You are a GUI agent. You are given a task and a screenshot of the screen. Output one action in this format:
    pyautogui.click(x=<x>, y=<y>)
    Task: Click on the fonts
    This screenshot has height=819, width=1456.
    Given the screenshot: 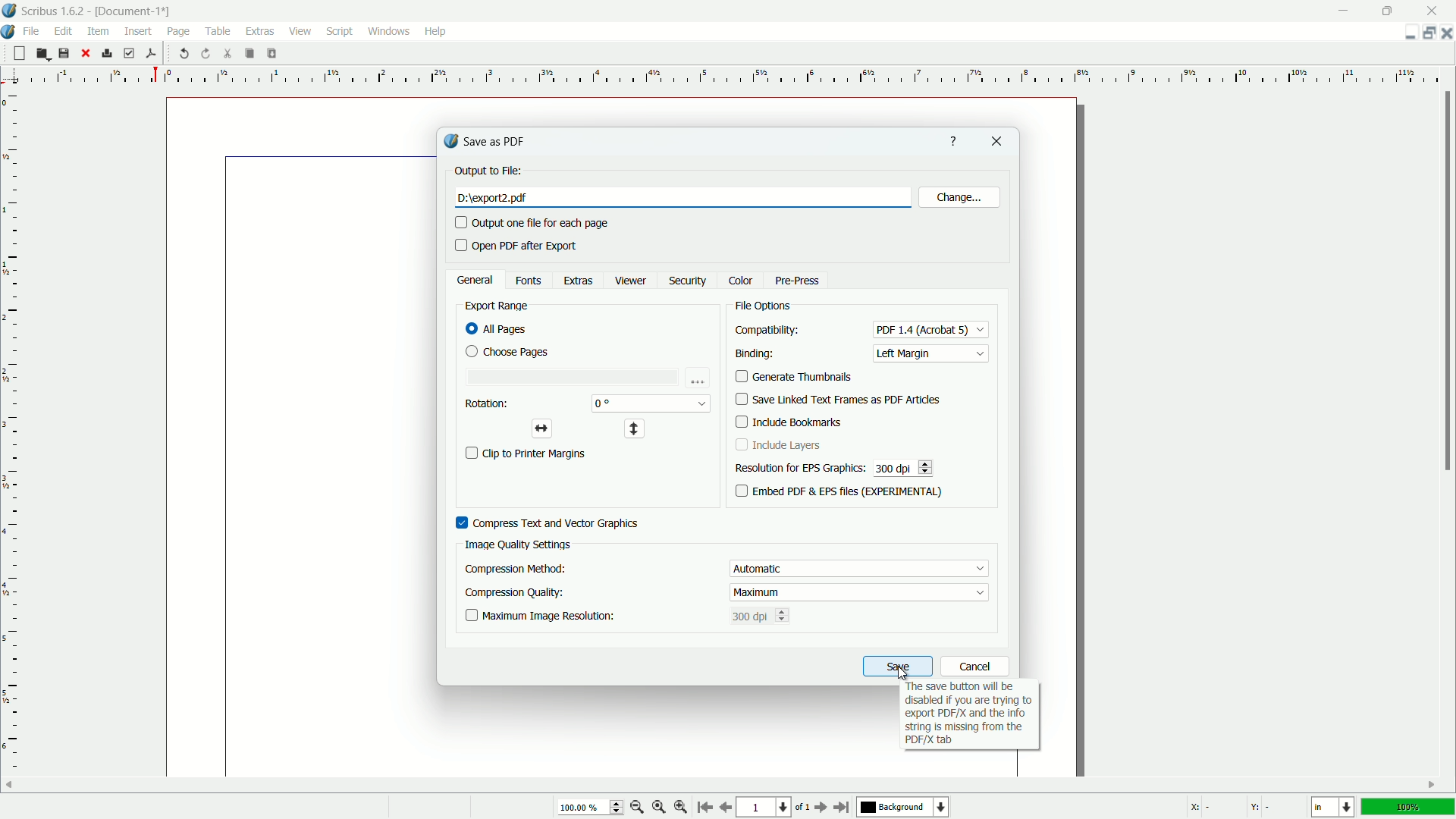 What is the action you would take?
    pyautogui.click(x=529, y=281)
    